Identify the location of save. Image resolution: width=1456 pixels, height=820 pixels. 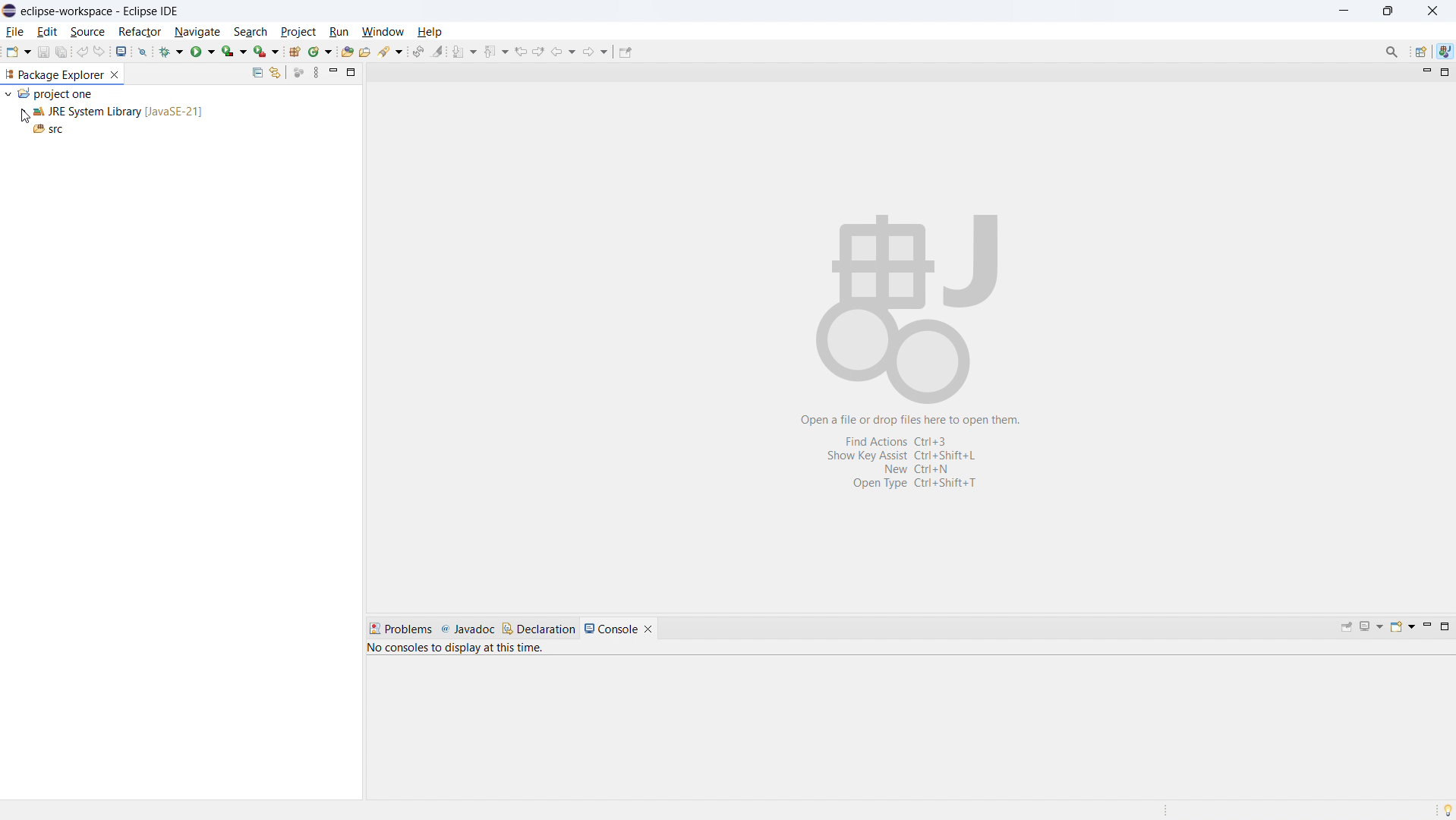
(44, 52).